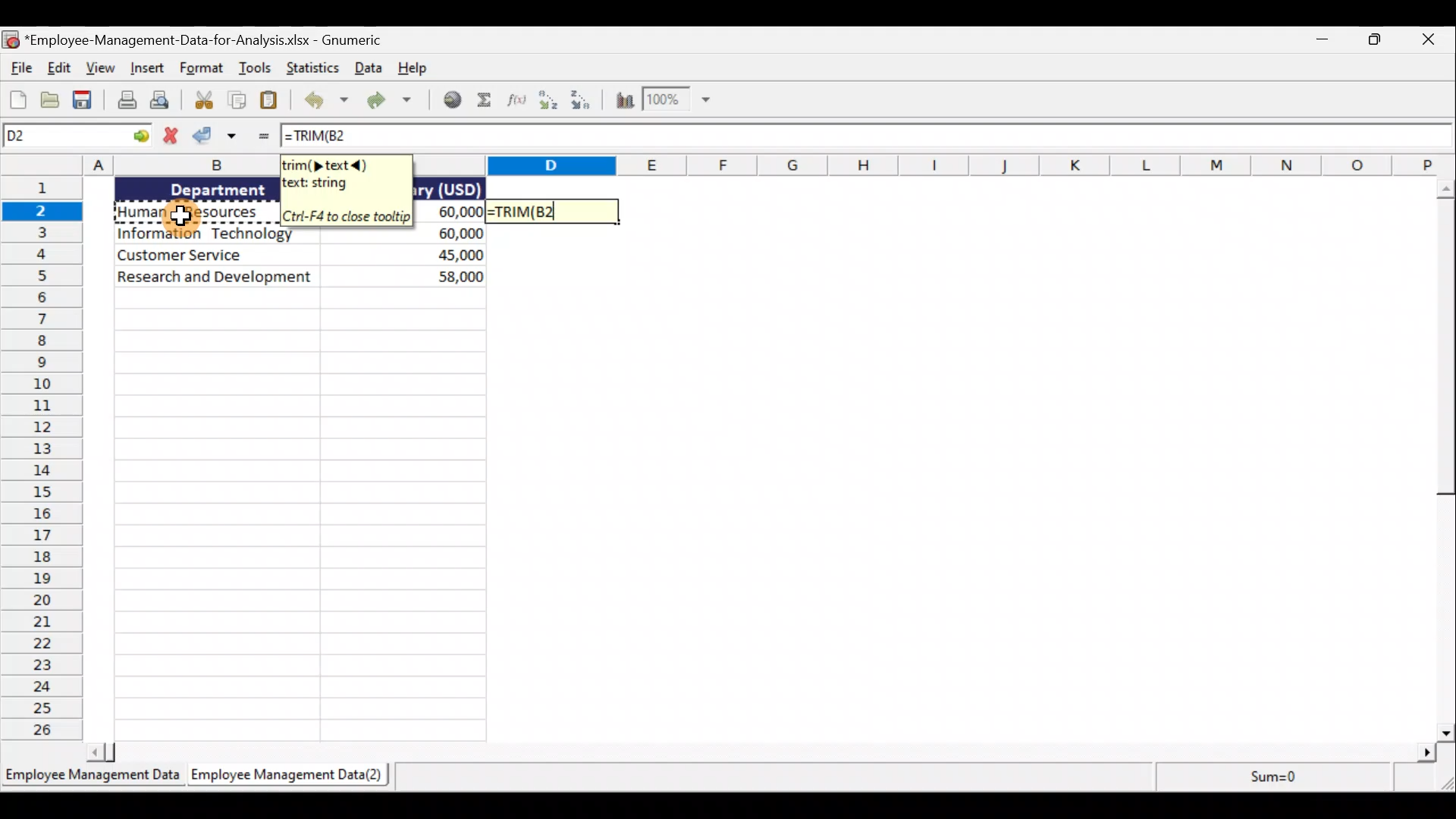  Describe the element at coordinates (412, 69) in the screenshot. I see `Help` at that location.